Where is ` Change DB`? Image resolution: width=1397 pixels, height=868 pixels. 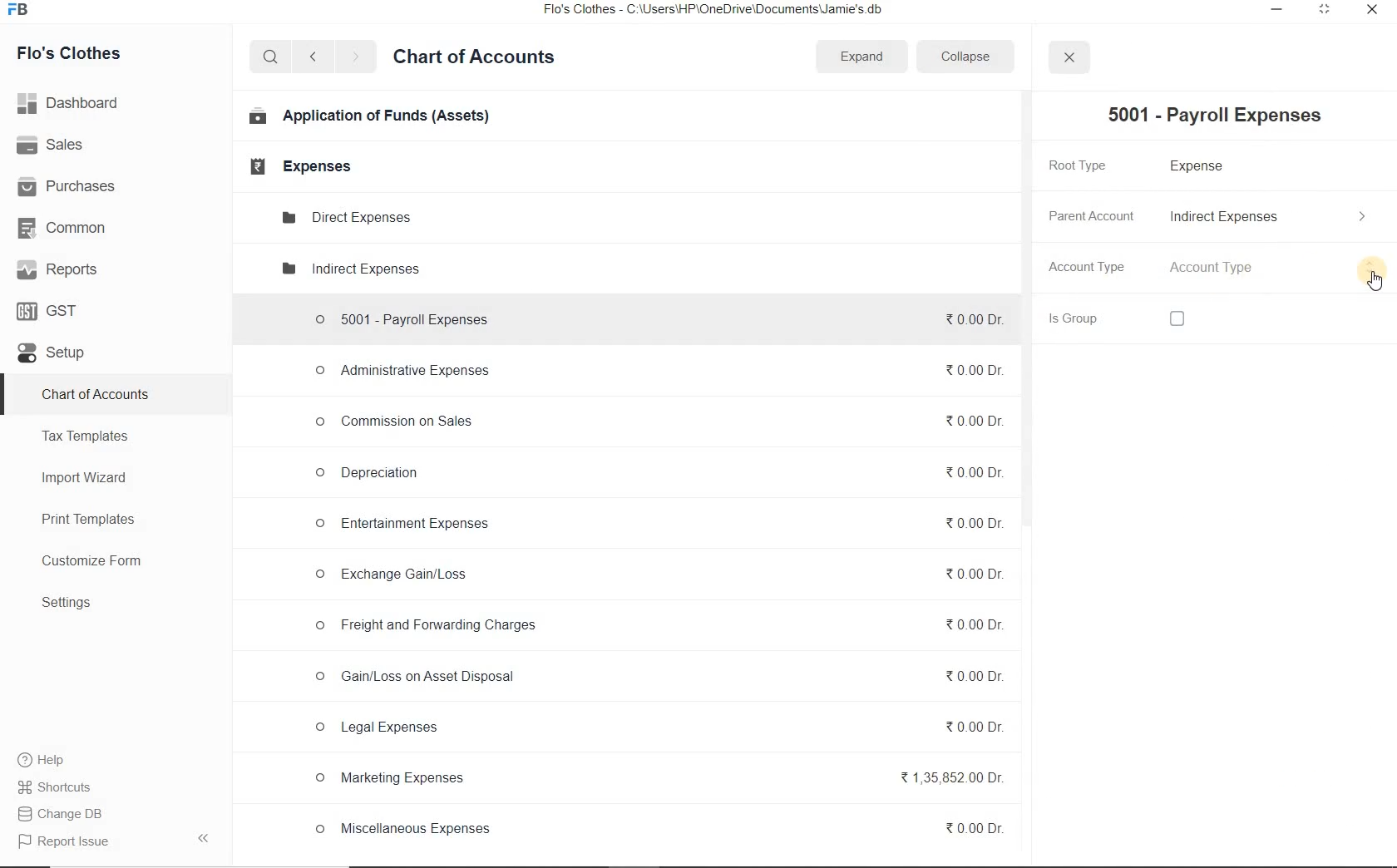  Change DB is located at coordinates (70, 813).